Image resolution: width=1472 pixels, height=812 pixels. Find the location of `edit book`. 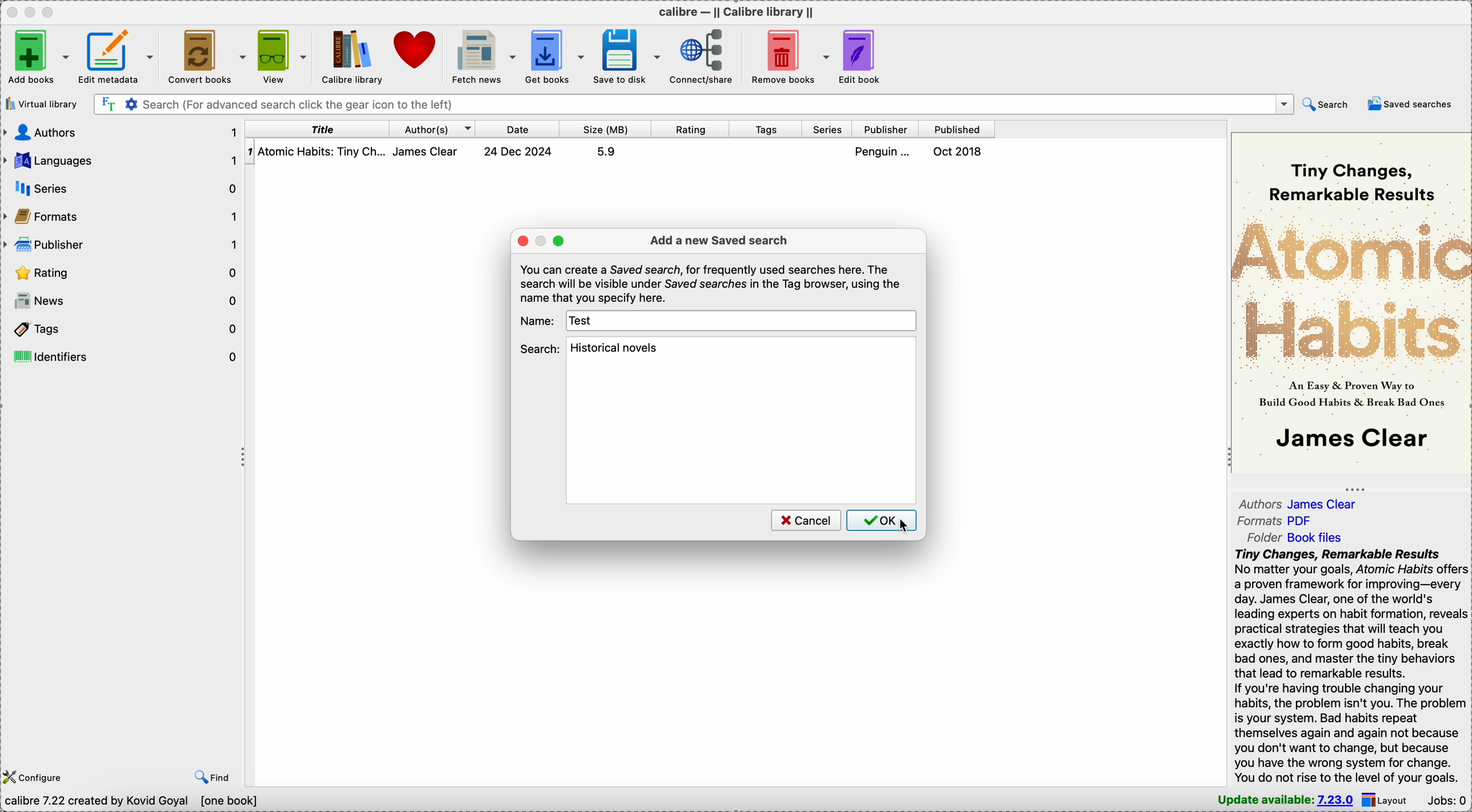

edit book is located at coordinates (867, 56).